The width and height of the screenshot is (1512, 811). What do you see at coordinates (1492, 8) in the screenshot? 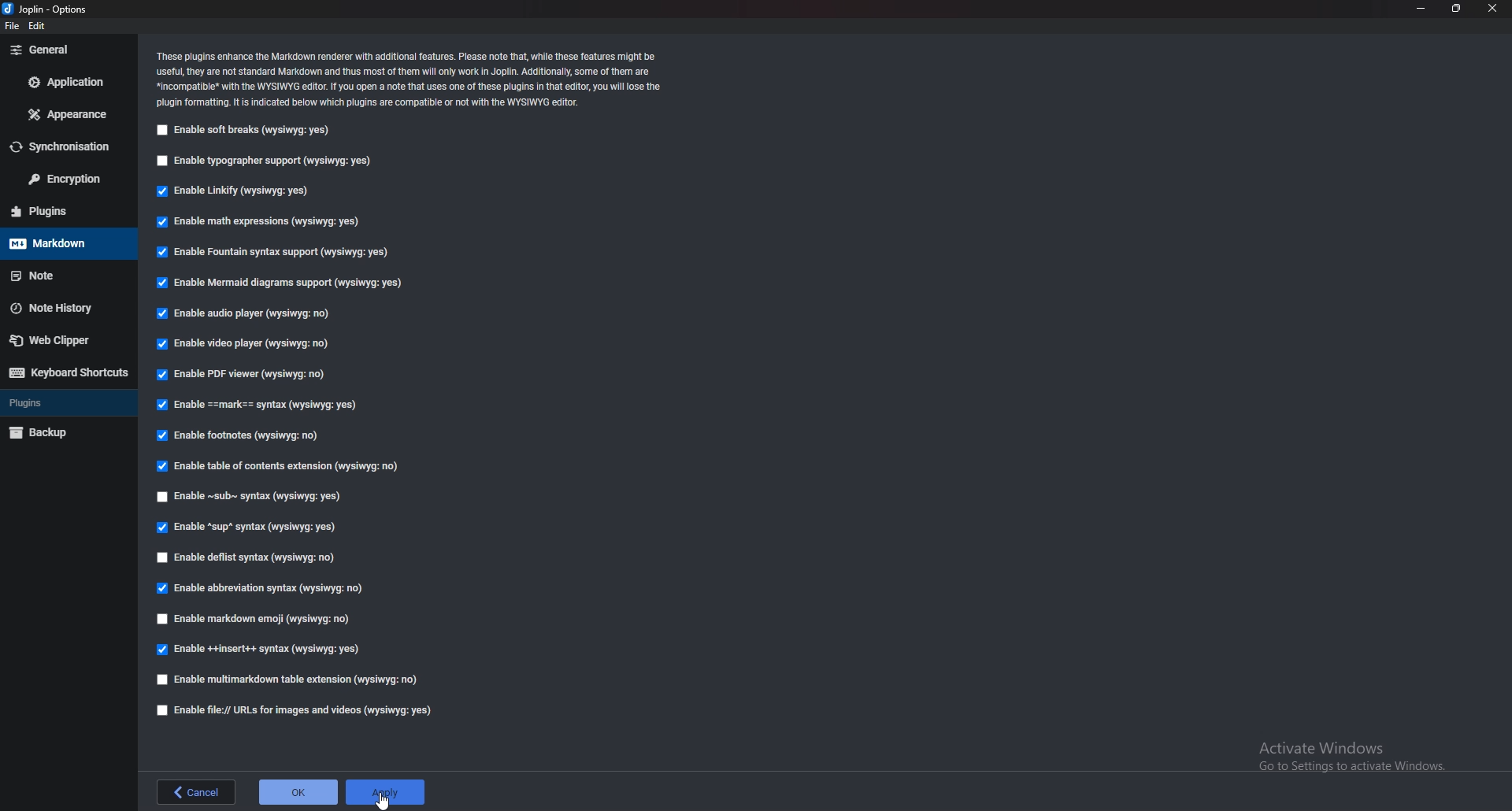
I see `close` at bounding box center [1492, 8].